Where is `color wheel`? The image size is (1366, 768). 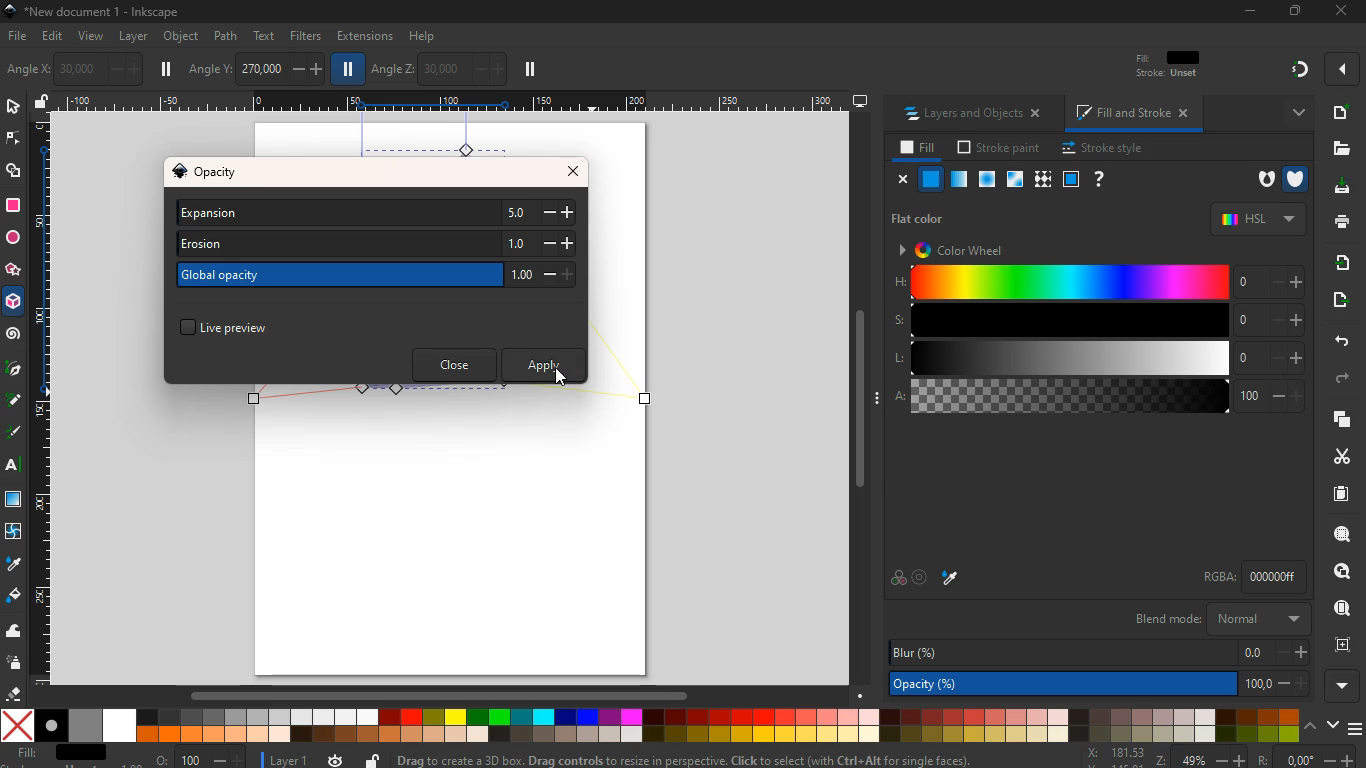 color wheel is located at coordinates (960, 249).